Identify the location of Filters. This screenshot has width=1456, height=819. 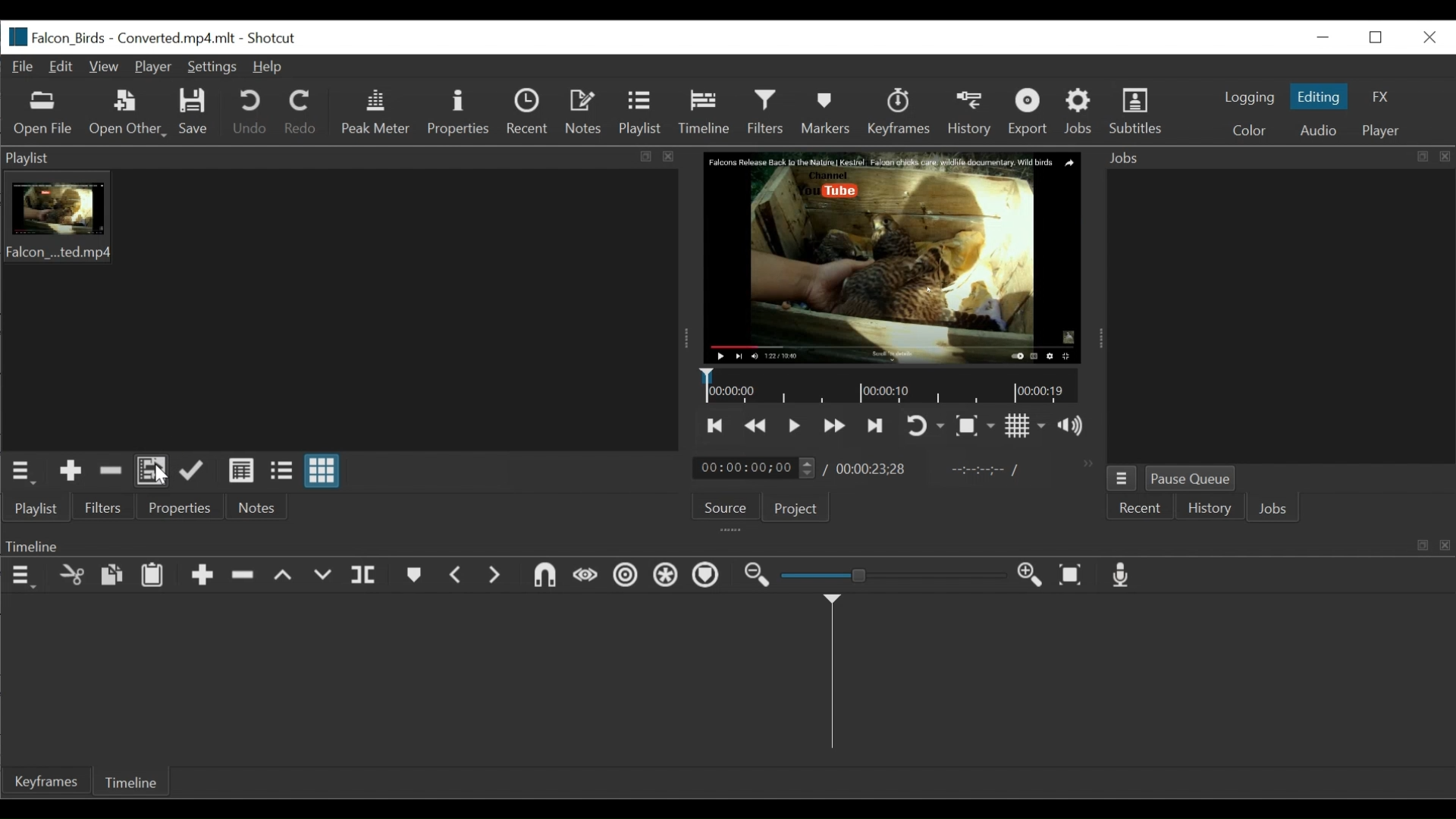
(102, 506).